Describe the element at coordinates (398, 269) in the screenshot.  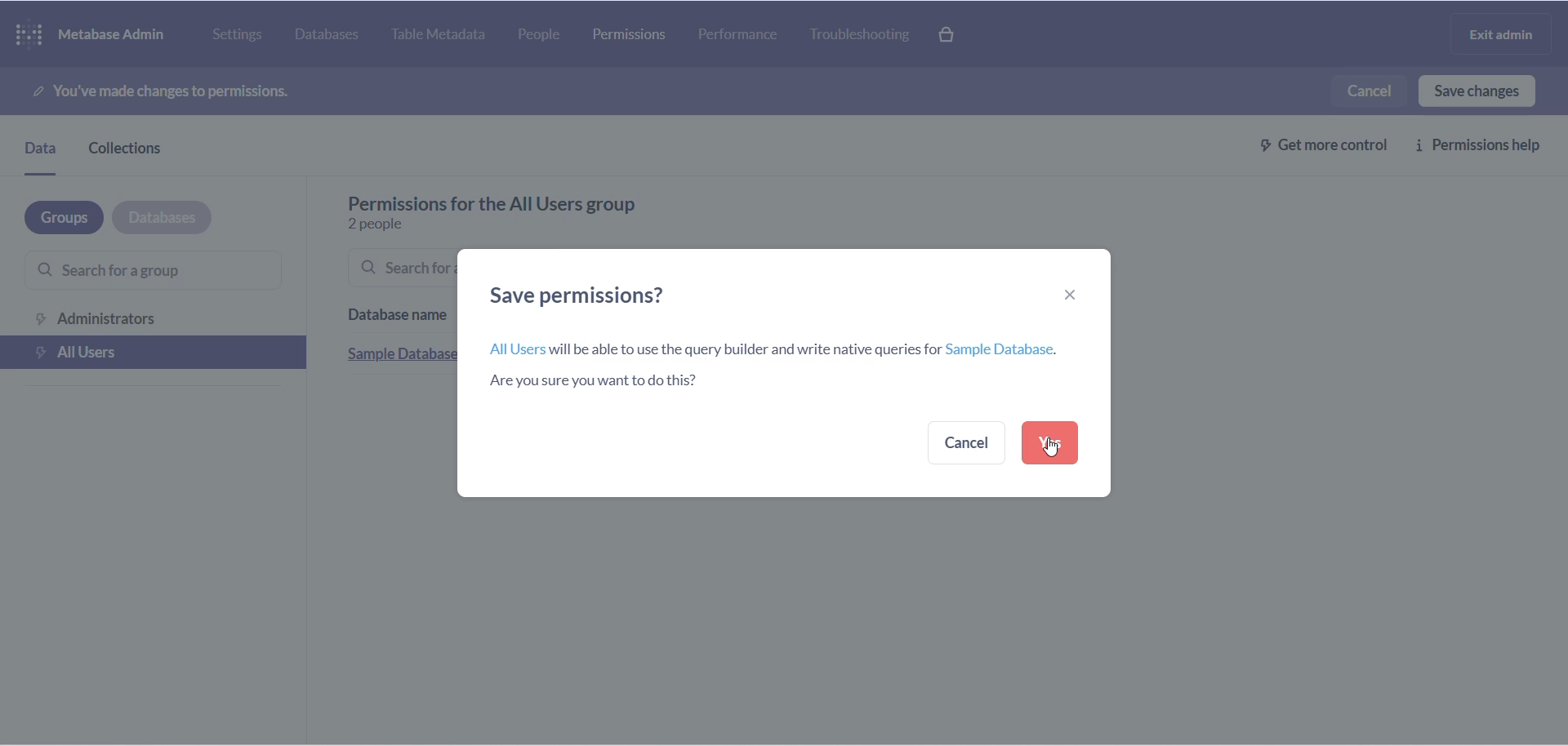
I see `searchbar` at that location.